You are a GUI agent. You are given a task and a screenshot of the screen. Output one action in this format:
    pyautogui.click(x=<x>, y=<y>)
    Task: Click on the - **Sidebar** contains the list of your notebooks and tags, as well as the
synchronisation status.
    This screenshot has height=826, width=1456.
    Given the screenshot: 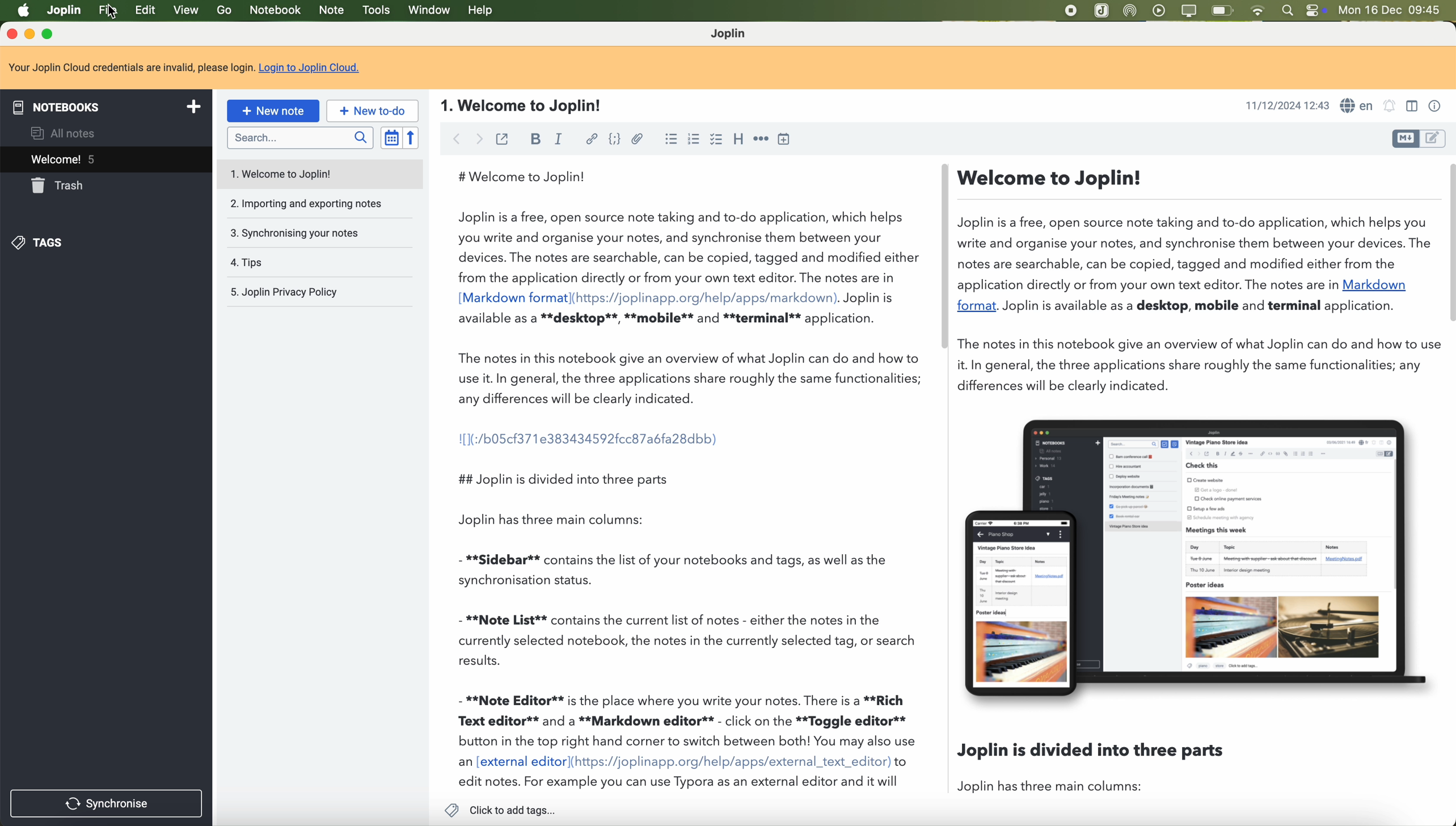 What is the action you would take?
    pyautogui.click(x=680, y=569)
    